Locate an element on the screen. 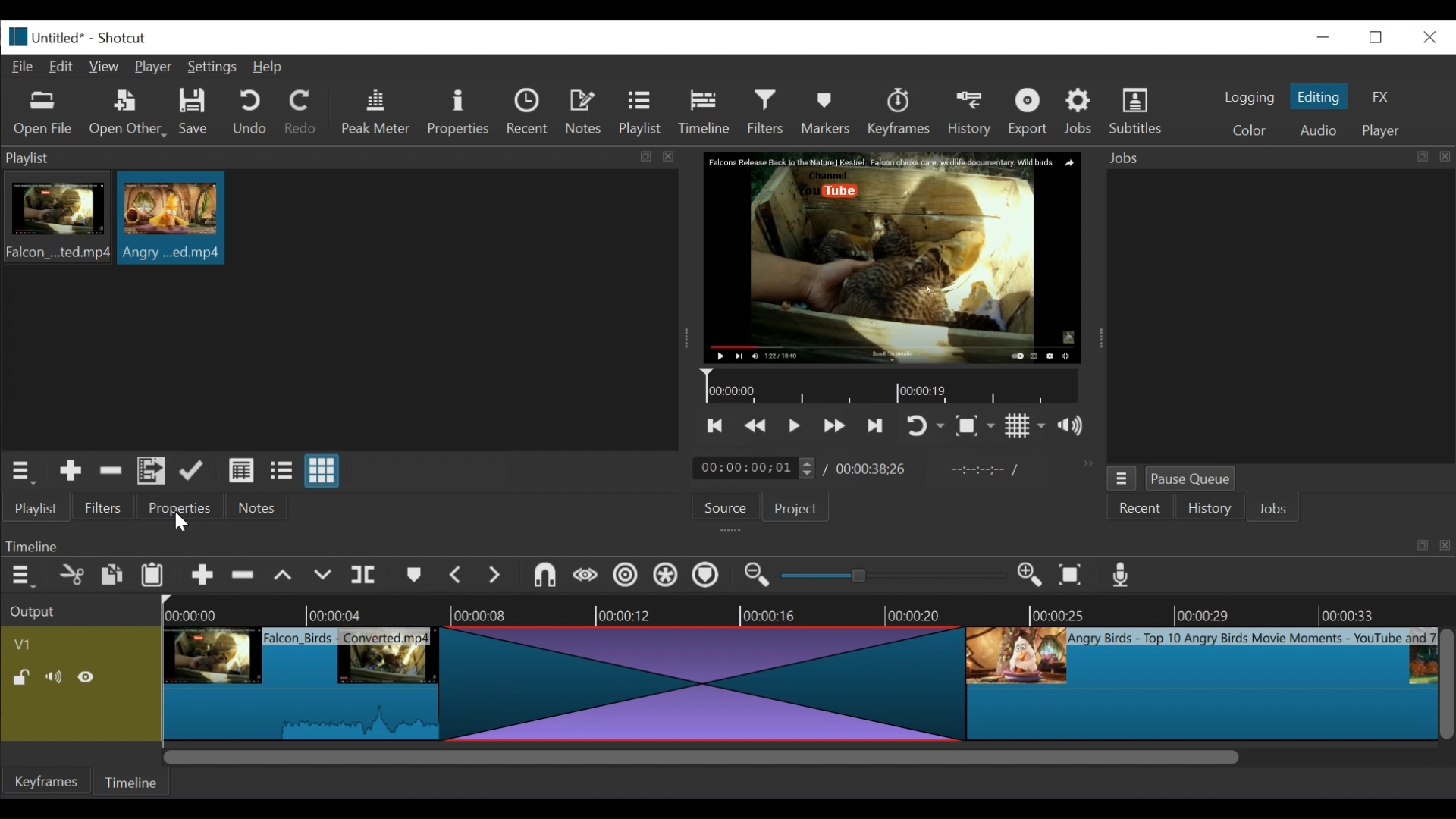 This screenshot has width=1456, height=819. Audio is located at coordinates (1317, 130).